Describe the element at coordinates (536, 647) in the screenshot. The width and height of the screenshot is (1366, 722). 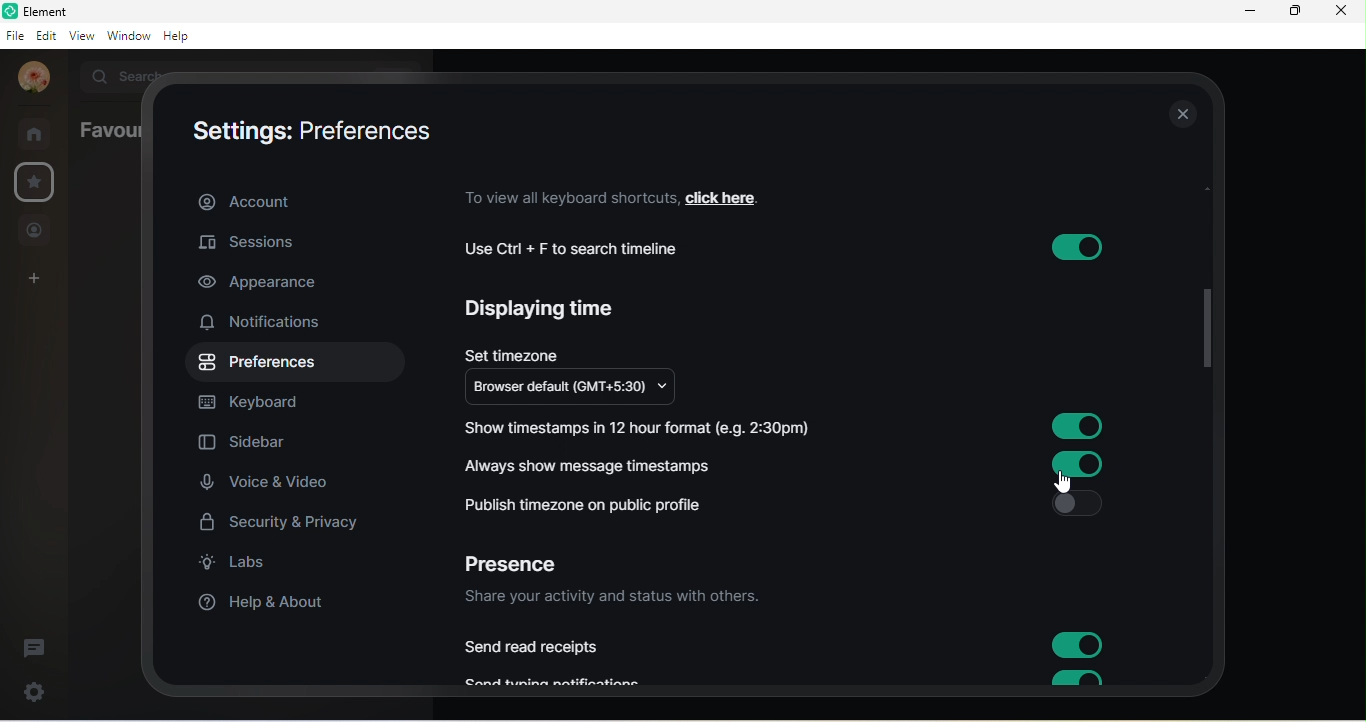
I see `send read receipts` at that location.